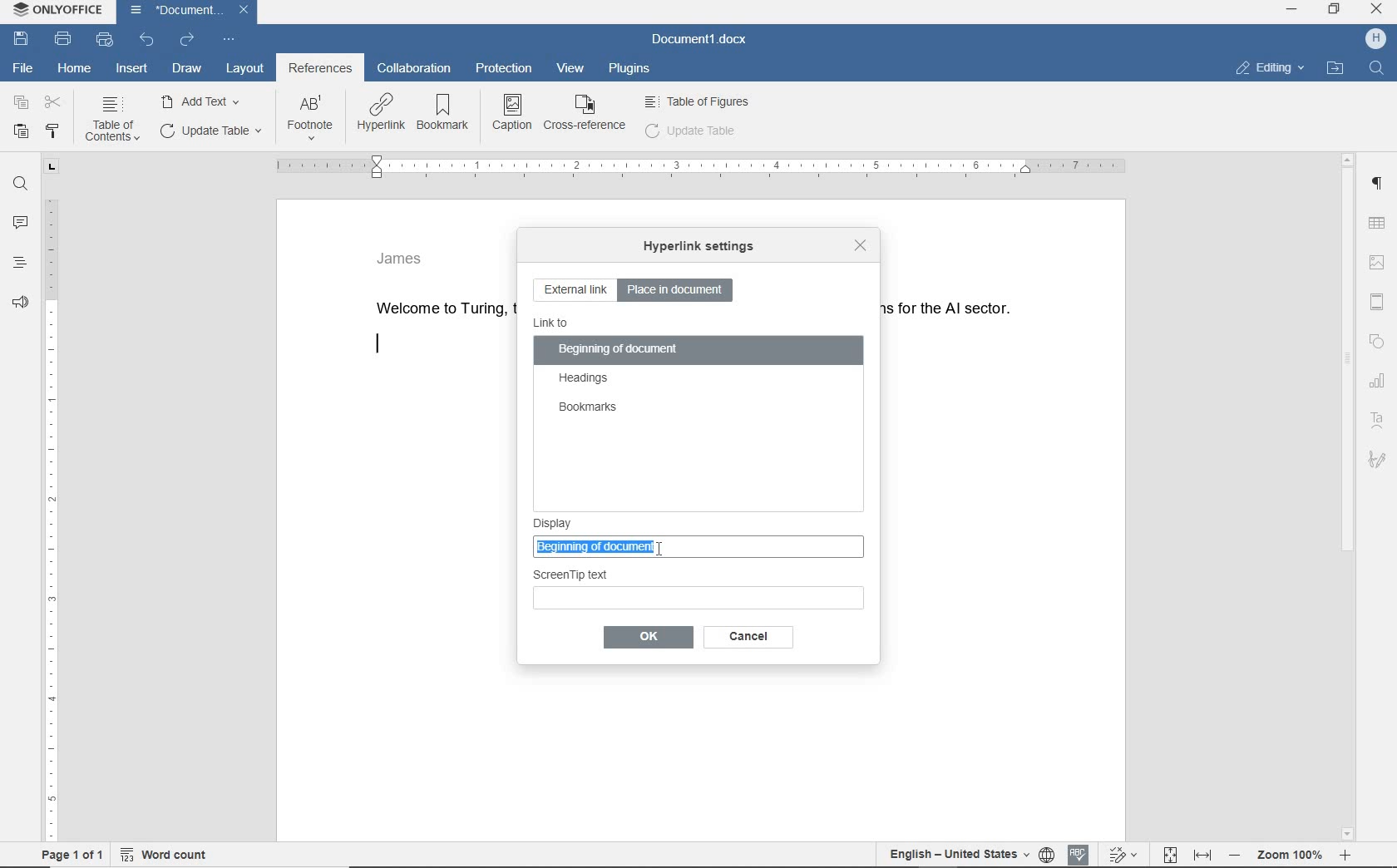 The image size is (1397, 868). I want to click on bookmarks, so click(587, 408).